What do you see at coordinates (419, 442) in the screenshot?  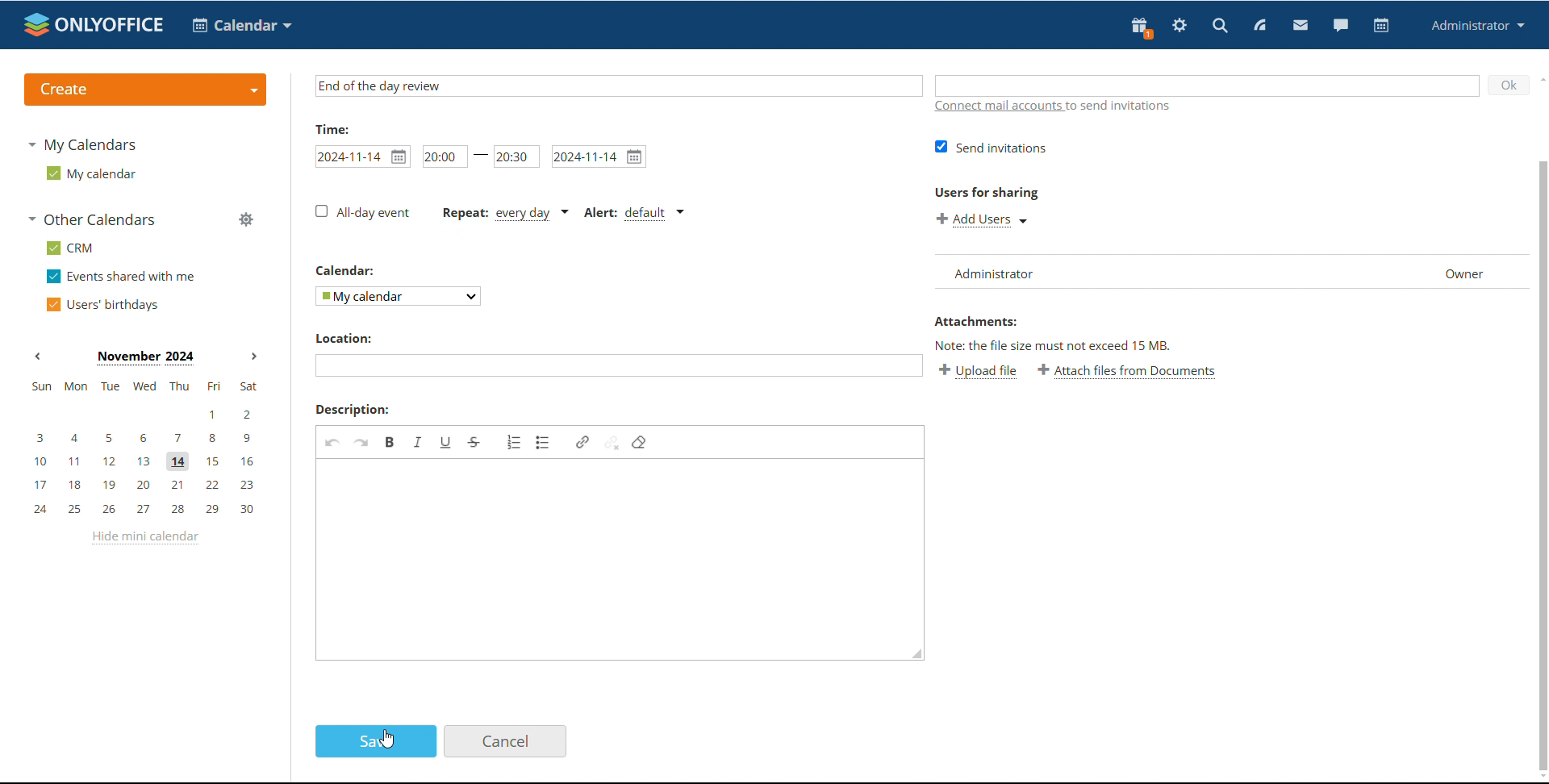 I see `Italic` at bounding box center [419, 442].